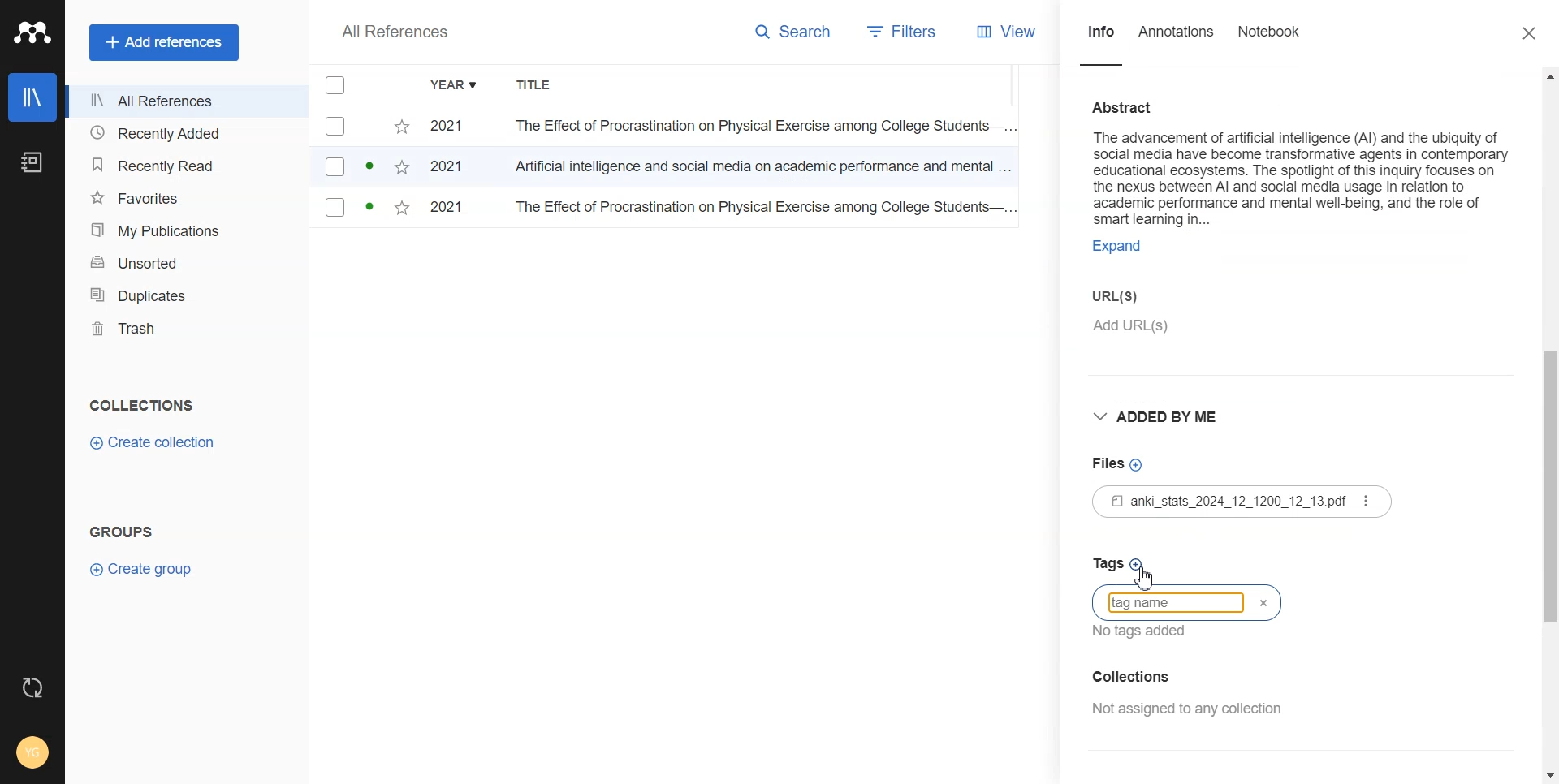 This screenshot has width=1559, height=784. Describe the element at coordinates (32, 97) in the screenshot. I see `Library` at that location.